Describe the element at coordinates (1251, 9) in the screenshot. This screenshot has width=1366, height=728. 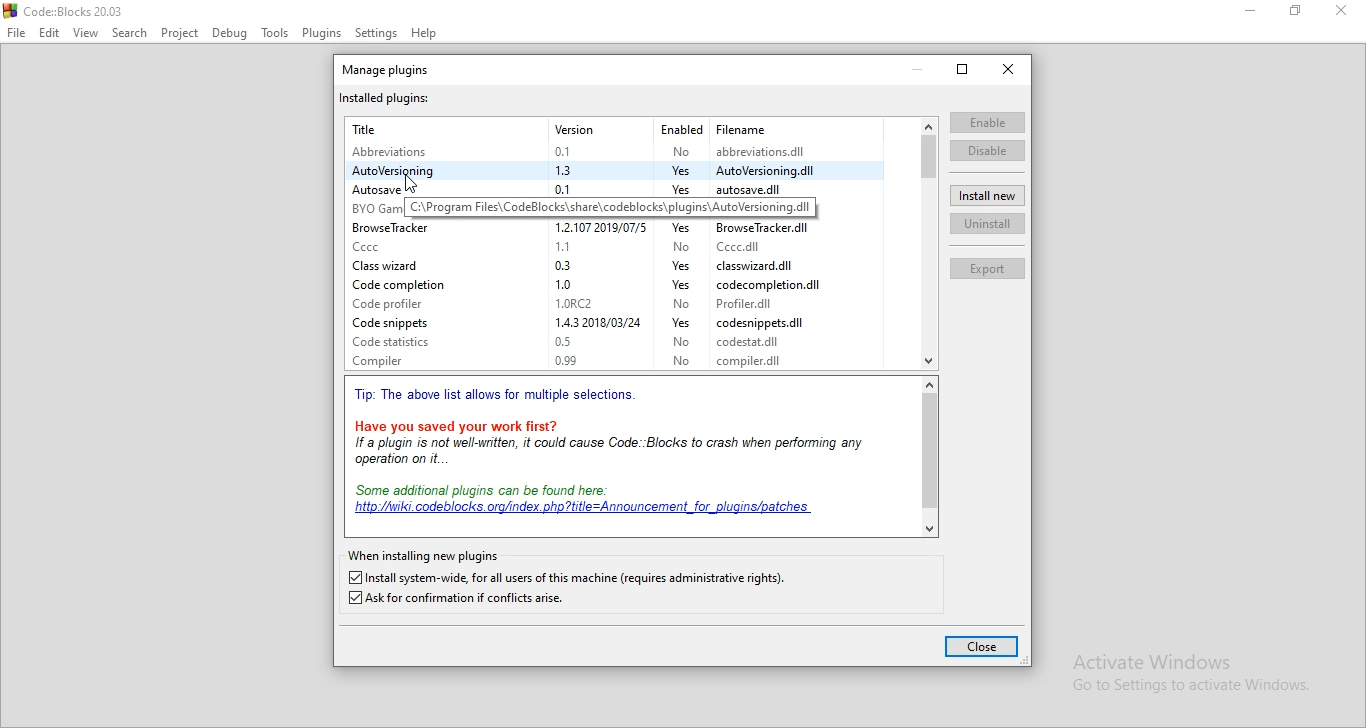
I see `minimize` at that location.